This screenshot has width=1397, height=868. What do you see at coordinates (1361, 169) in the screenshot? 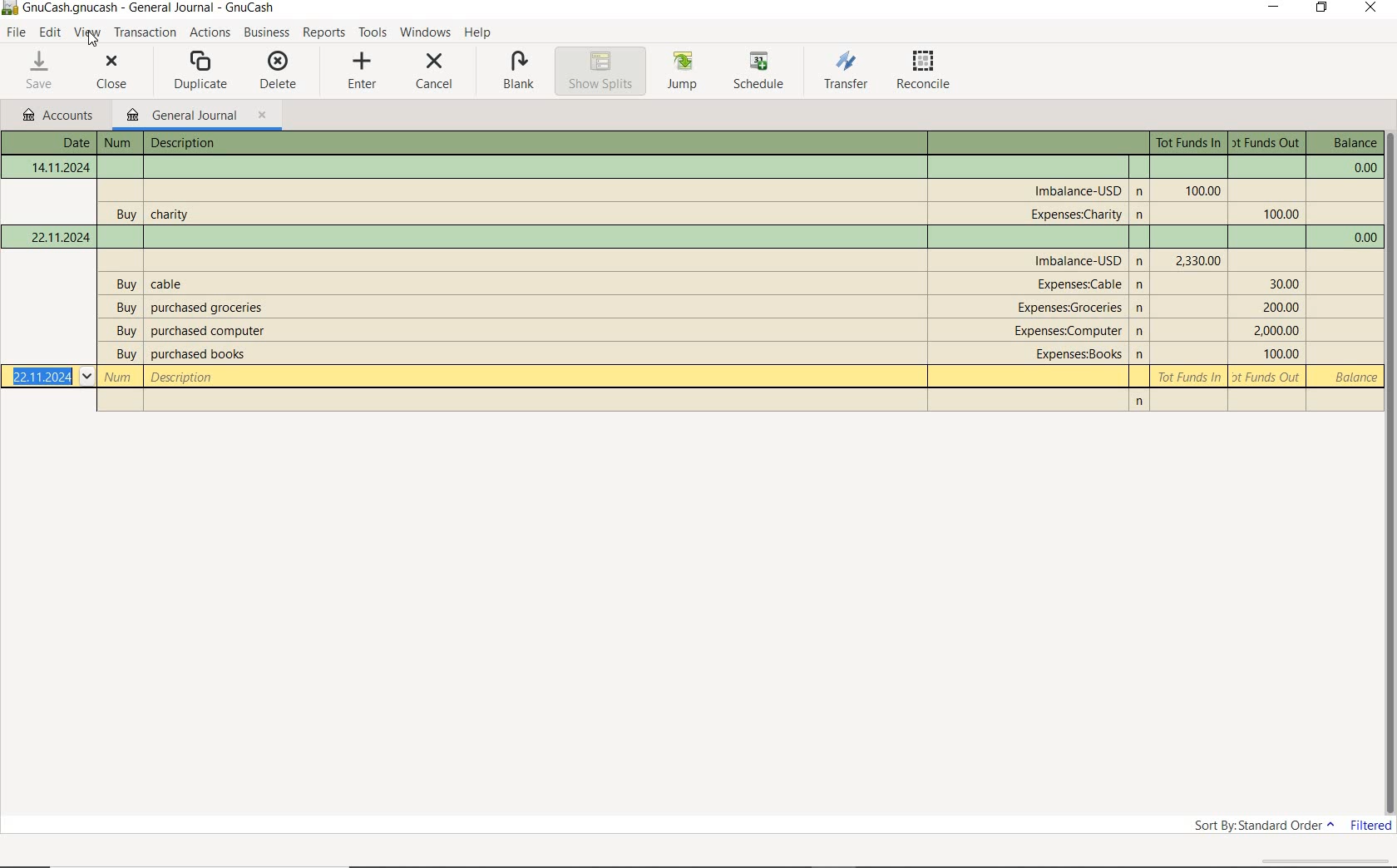
I see `balance` at bounding box center [1361, 169].